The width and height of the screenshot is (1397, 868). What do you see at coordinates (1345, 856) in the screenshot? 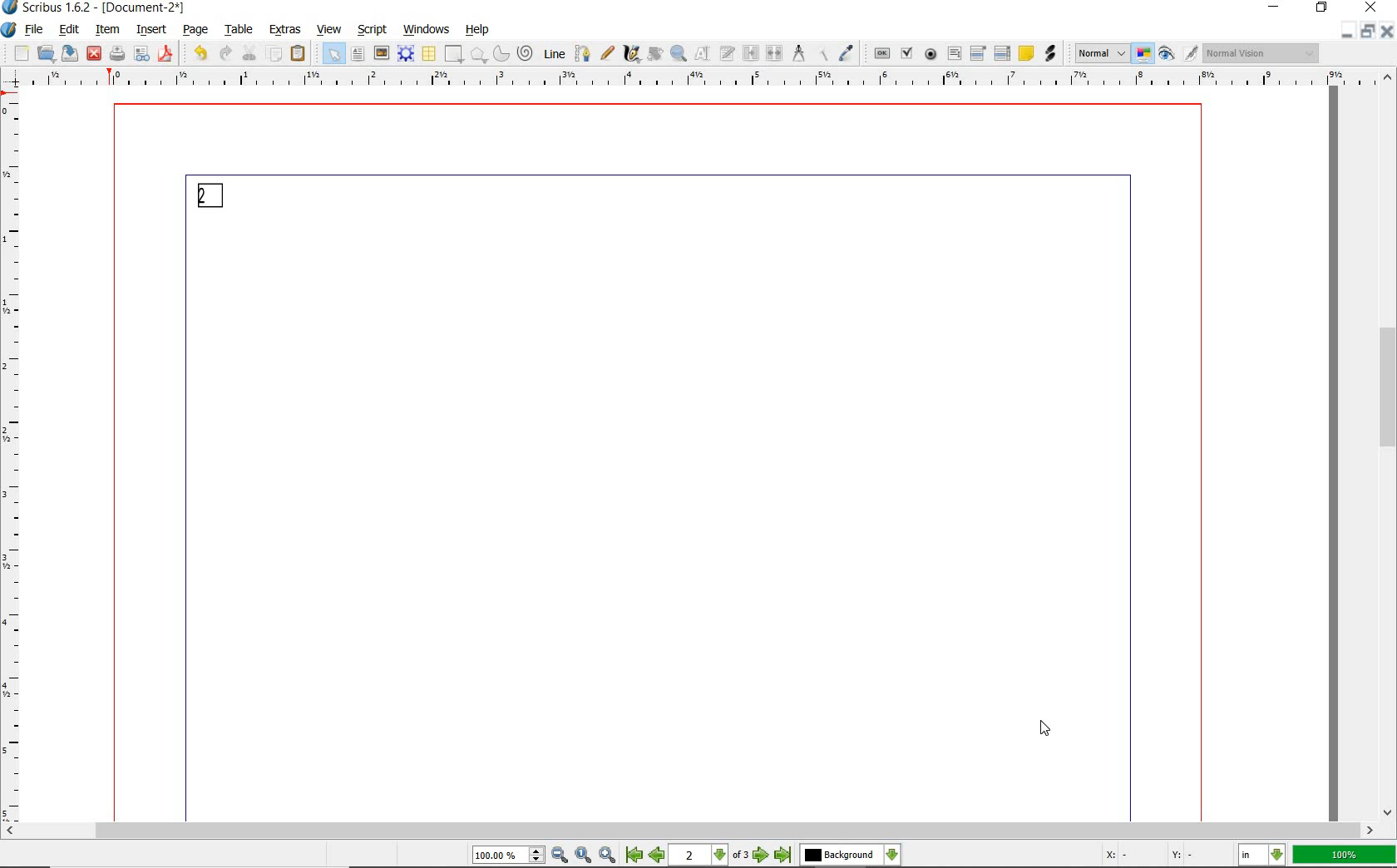
I see `zoom factor 100%` at bounding box center [1345, 856].